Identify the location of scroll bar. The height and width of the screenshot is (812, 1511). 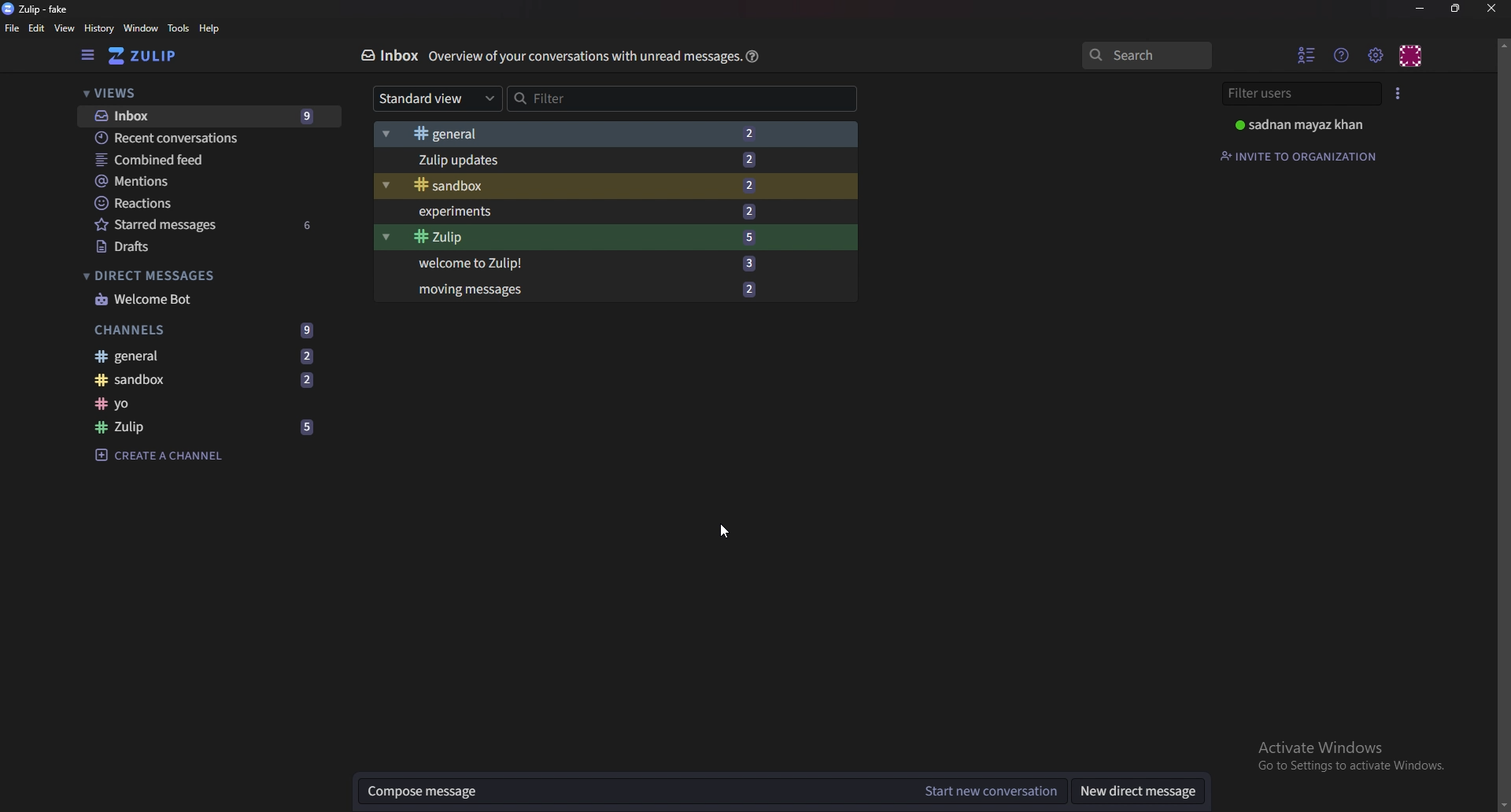
(1504, 423).